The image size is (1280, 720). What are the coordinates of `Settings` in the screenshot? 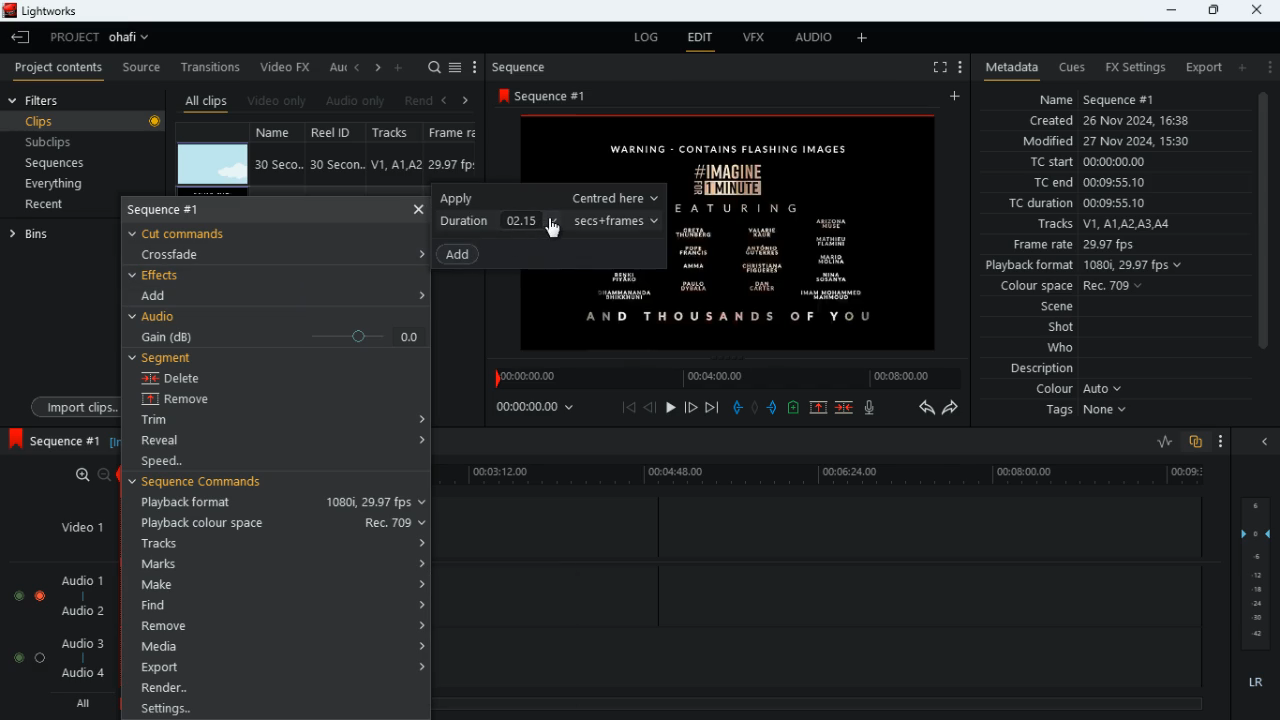 It's located at (278, 707).